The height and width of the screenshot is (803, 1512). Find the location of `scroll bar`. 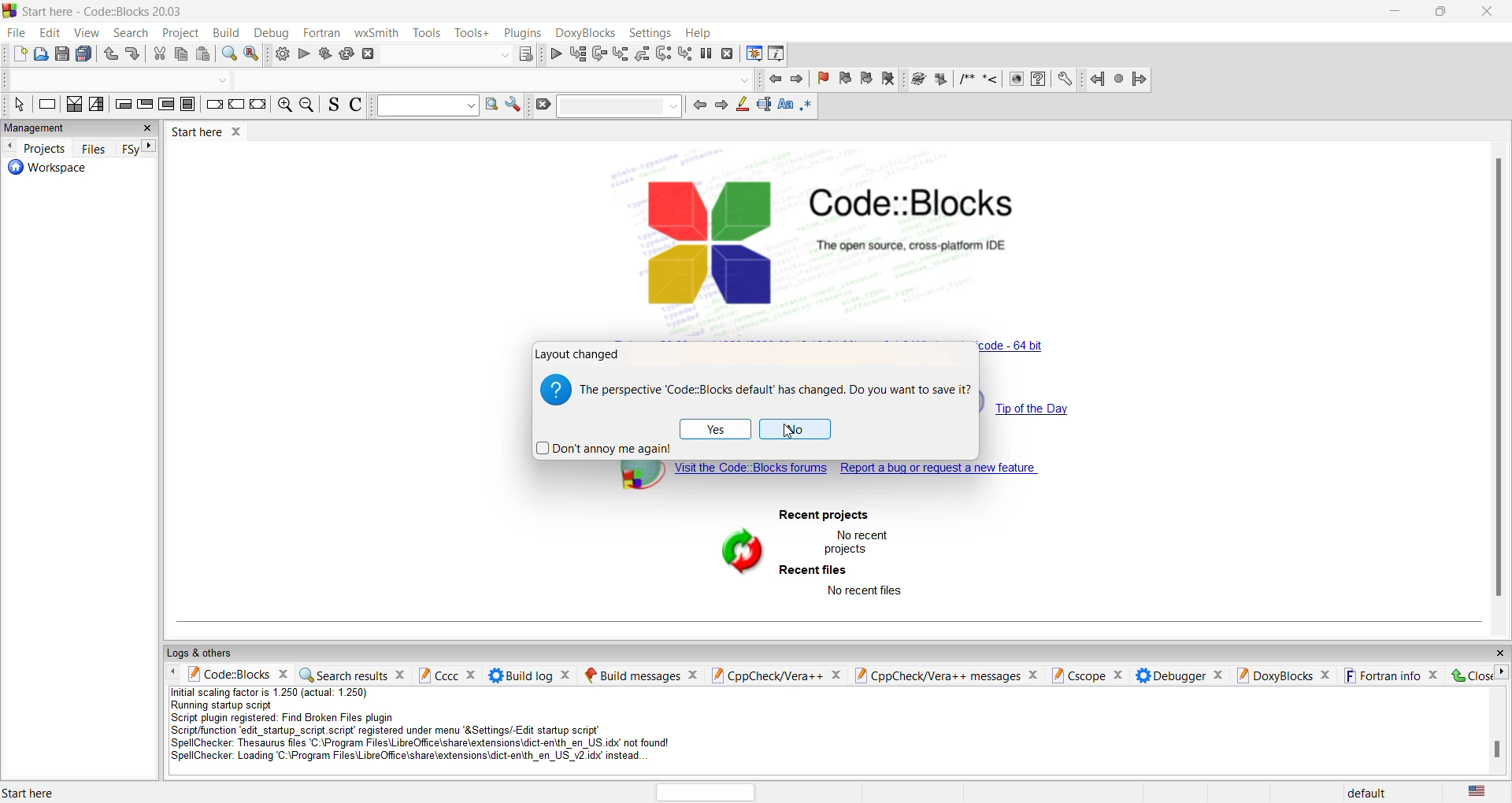

scroll bar is located at coordinates (1497, 373).